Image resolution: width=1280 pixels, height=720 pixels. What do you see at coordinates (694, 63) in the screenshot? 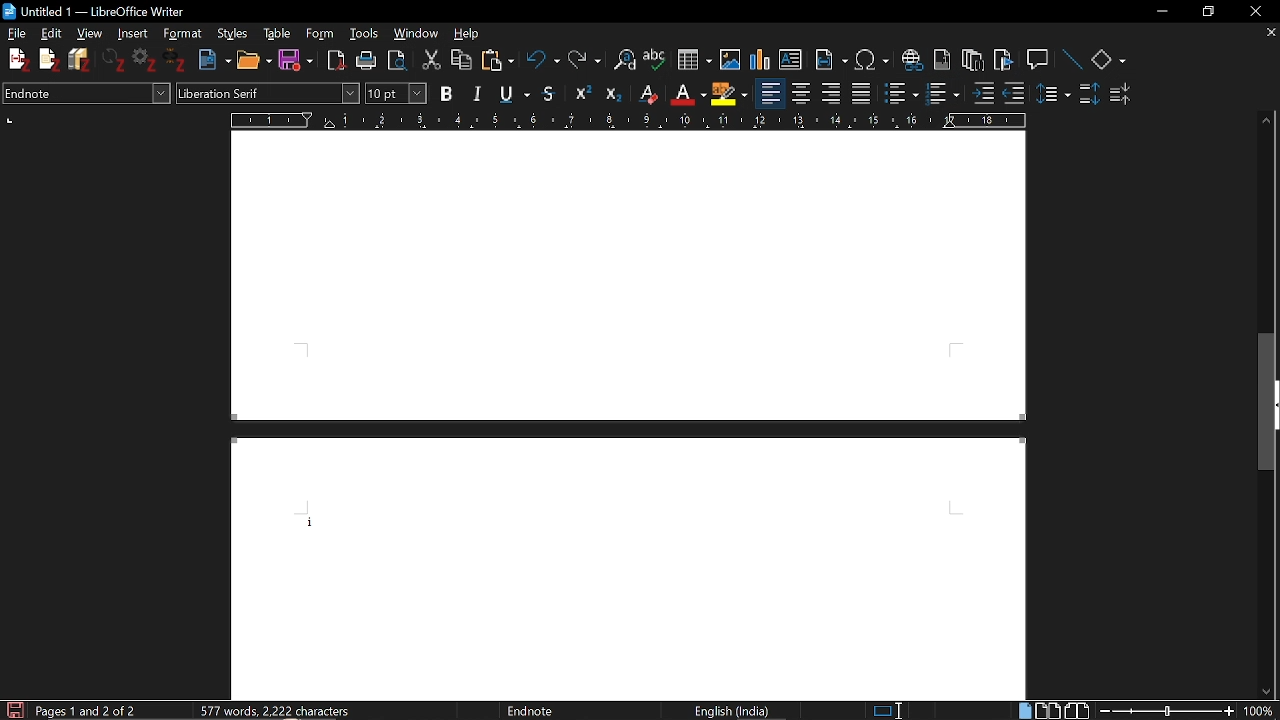
I see `Add table` at bounding box center [694, 63].